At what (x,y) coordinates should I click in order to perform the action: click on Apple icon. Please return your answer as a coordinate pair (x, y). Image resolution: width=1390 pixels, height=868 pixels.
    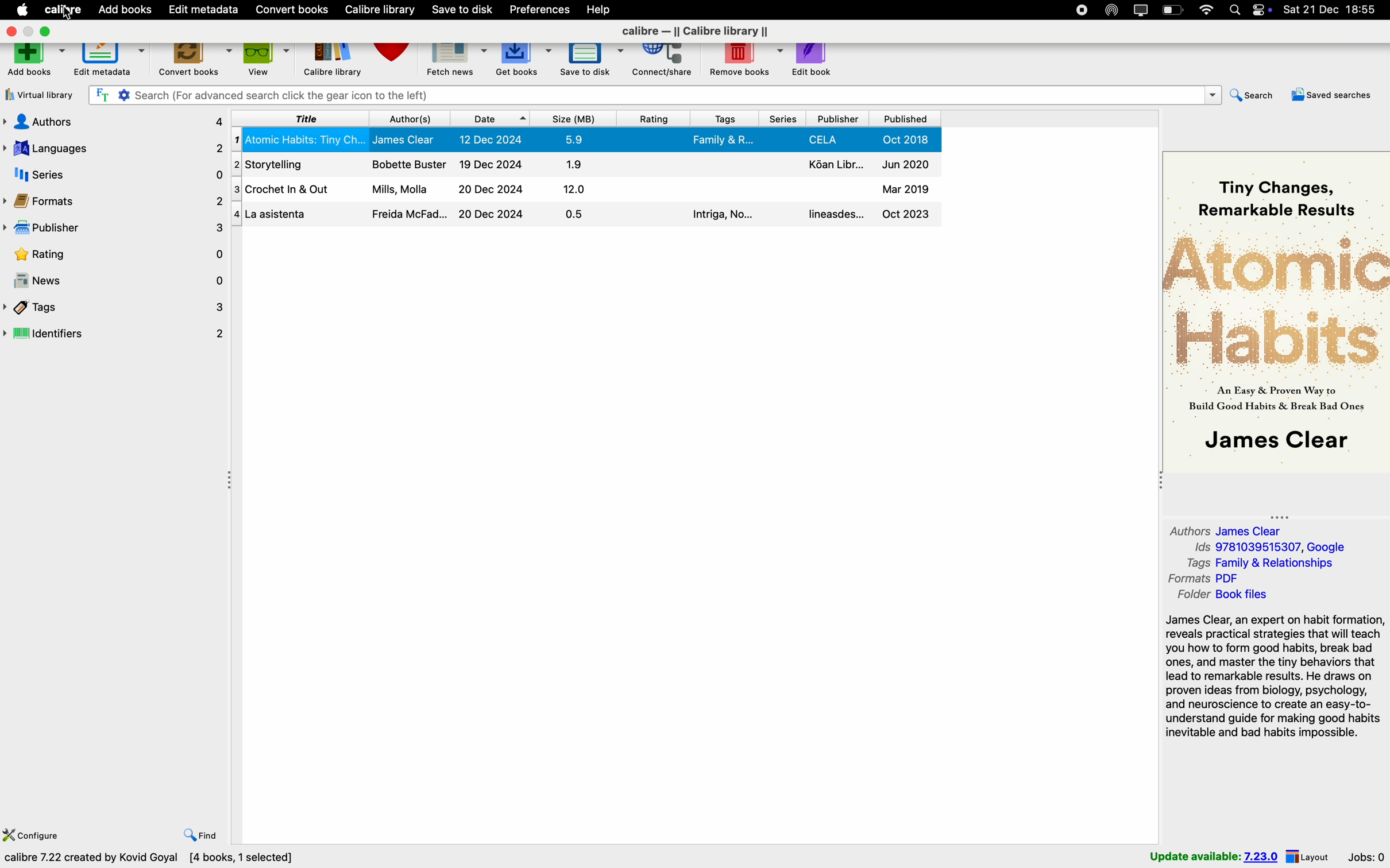
    Looking at the image, I should click on (19, 9).